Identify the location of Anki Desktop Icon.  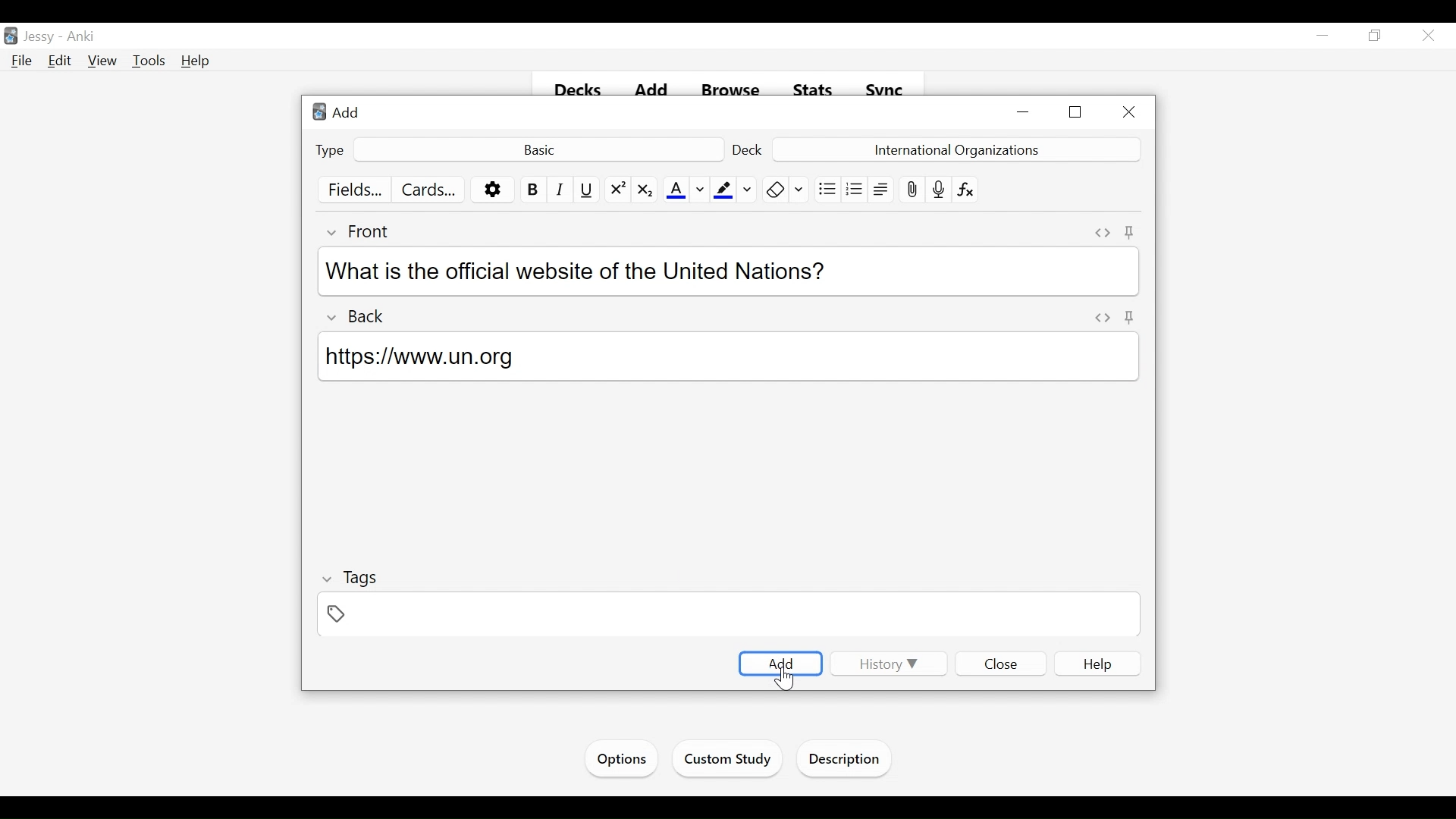
(318, 112).